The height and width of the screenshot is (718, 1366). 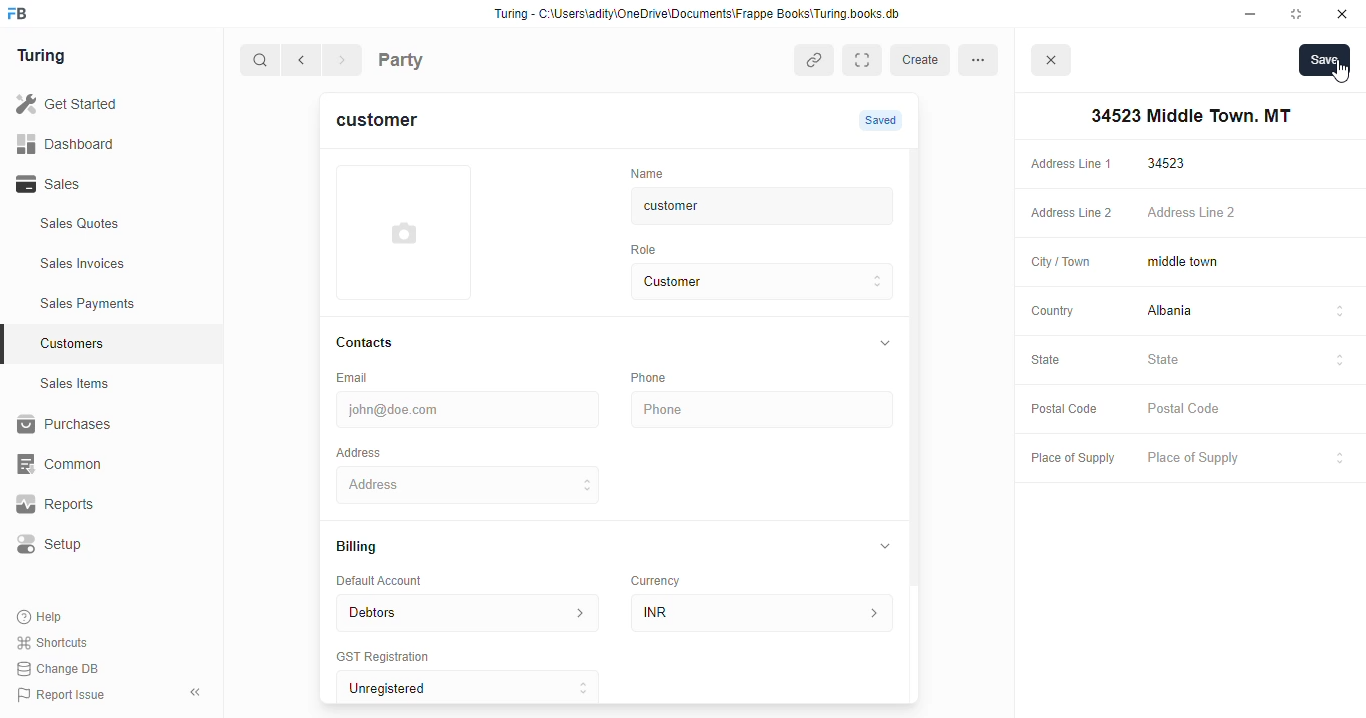 I want to click on more options, so click(x=984, y=59).